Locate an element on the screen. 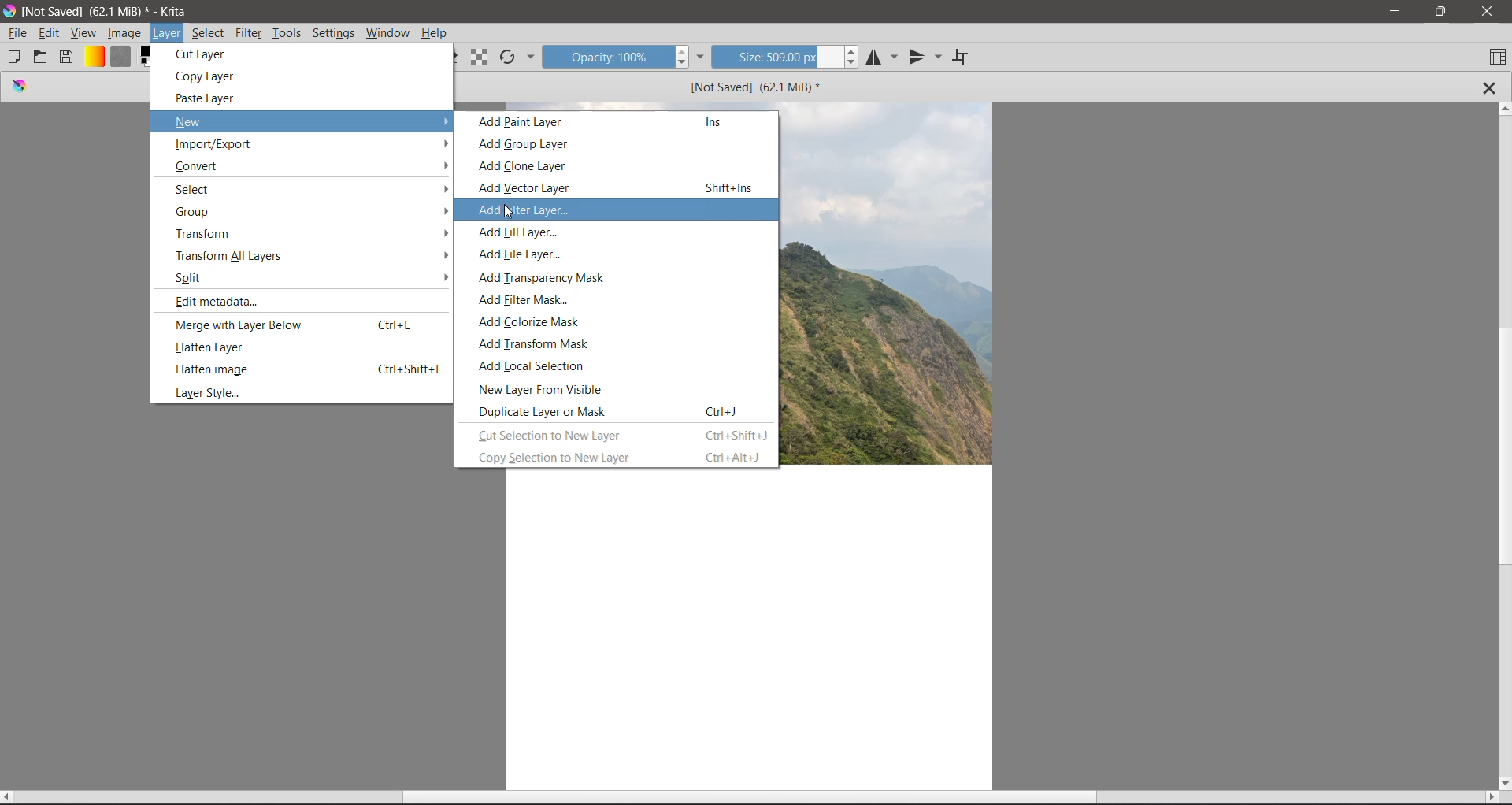 This screenshot has width=1512, height=805. Choose Workspace is located at coordinates (1495, 57).